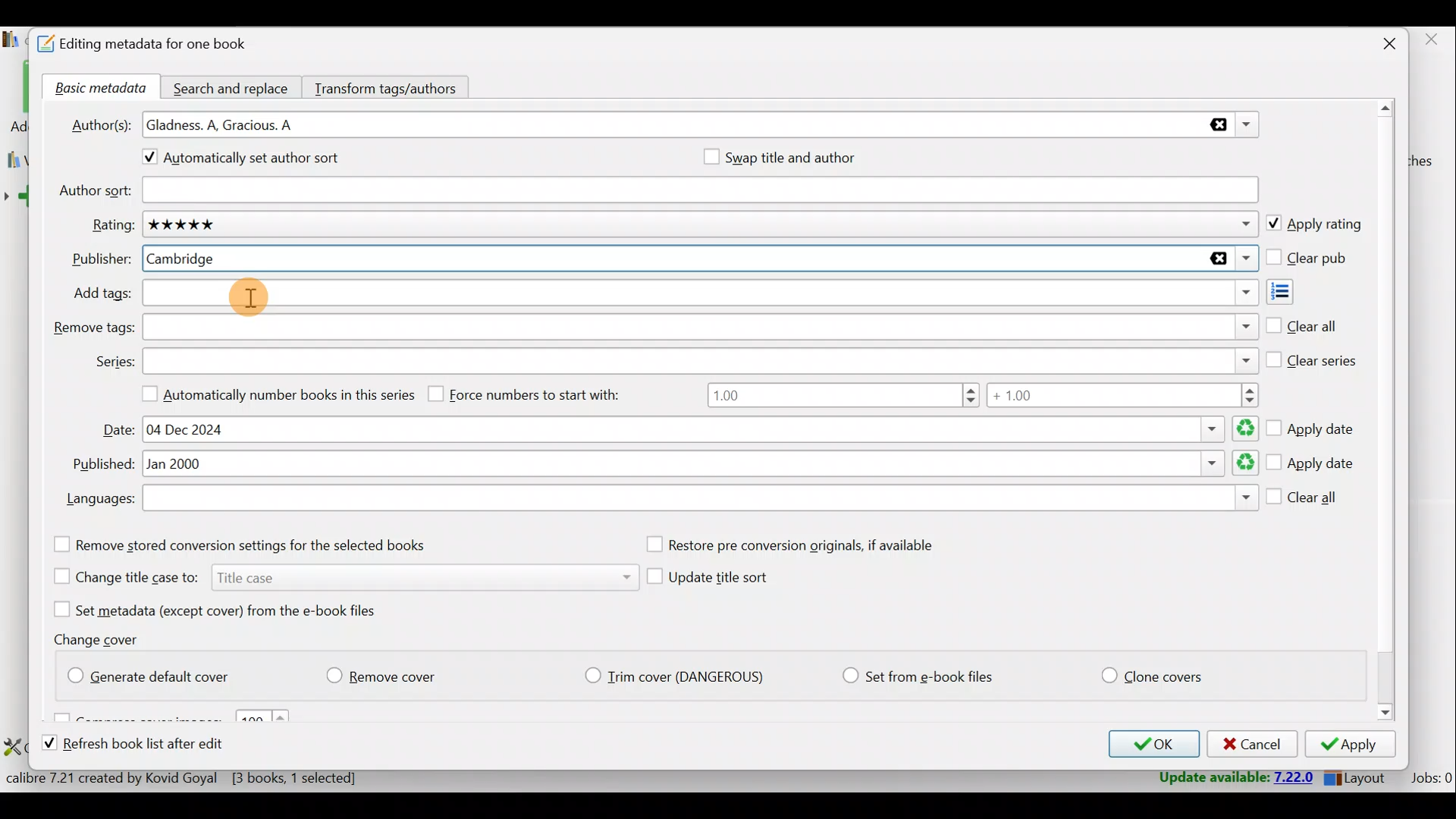  I want to click on Add tags, so click(698, 293).